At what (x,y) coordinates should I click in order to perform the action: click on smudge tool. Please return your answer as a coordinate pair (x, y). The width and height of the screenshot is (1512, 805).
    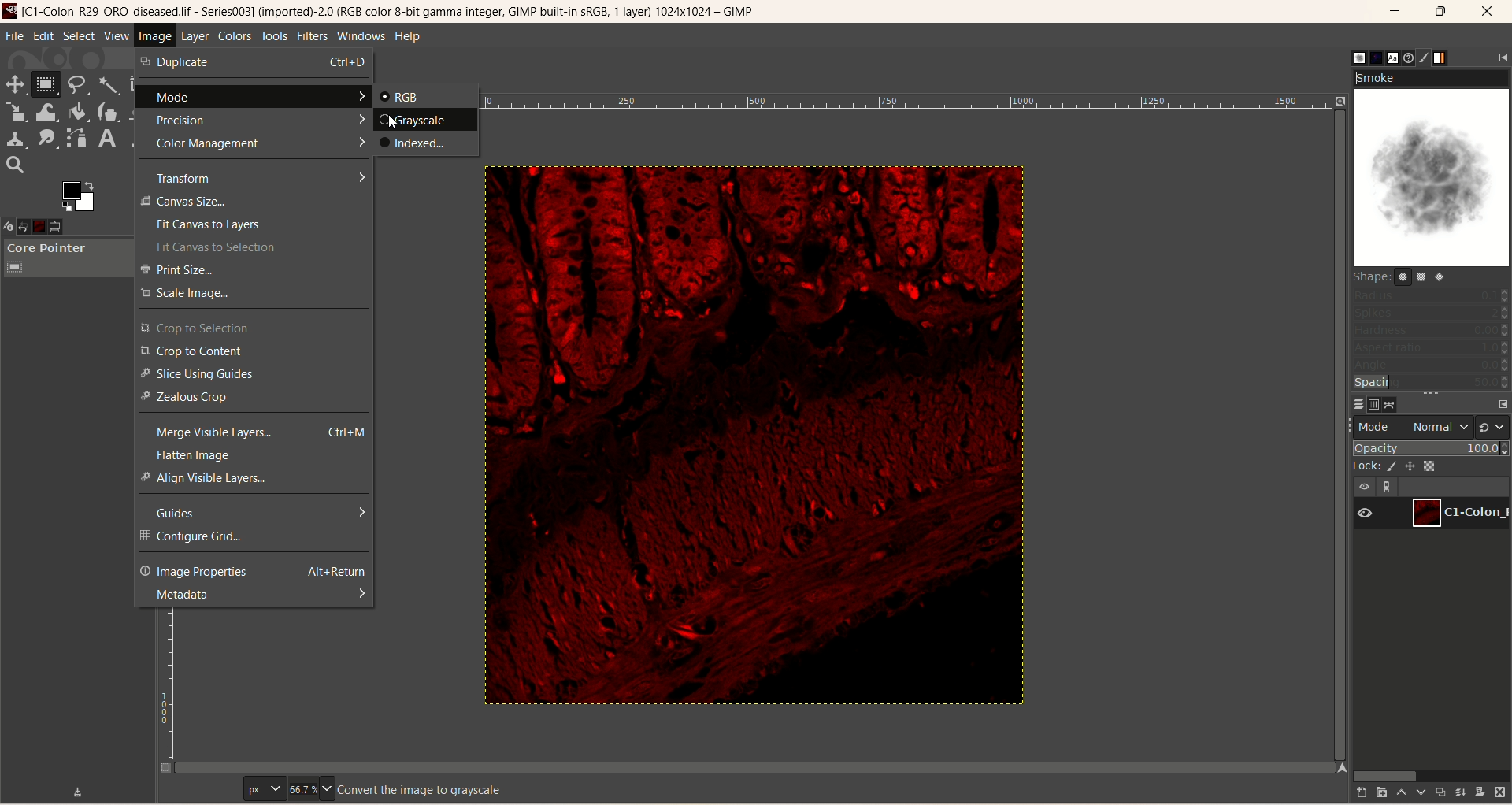
    Looking at the image, I should click on (48, 138).